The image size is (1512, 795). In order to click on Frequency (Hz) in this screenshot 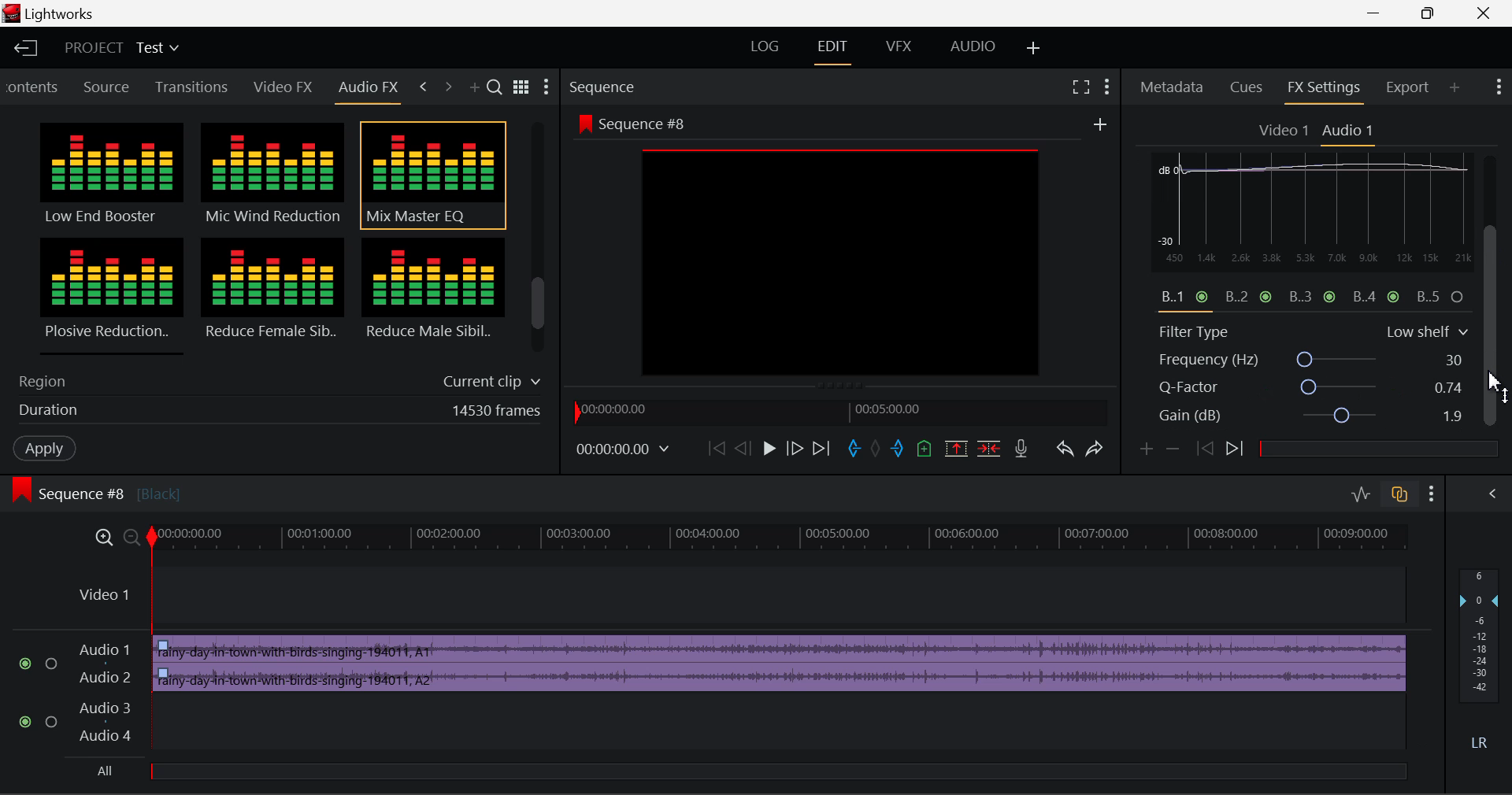, I will do `click(1314, 360)`.